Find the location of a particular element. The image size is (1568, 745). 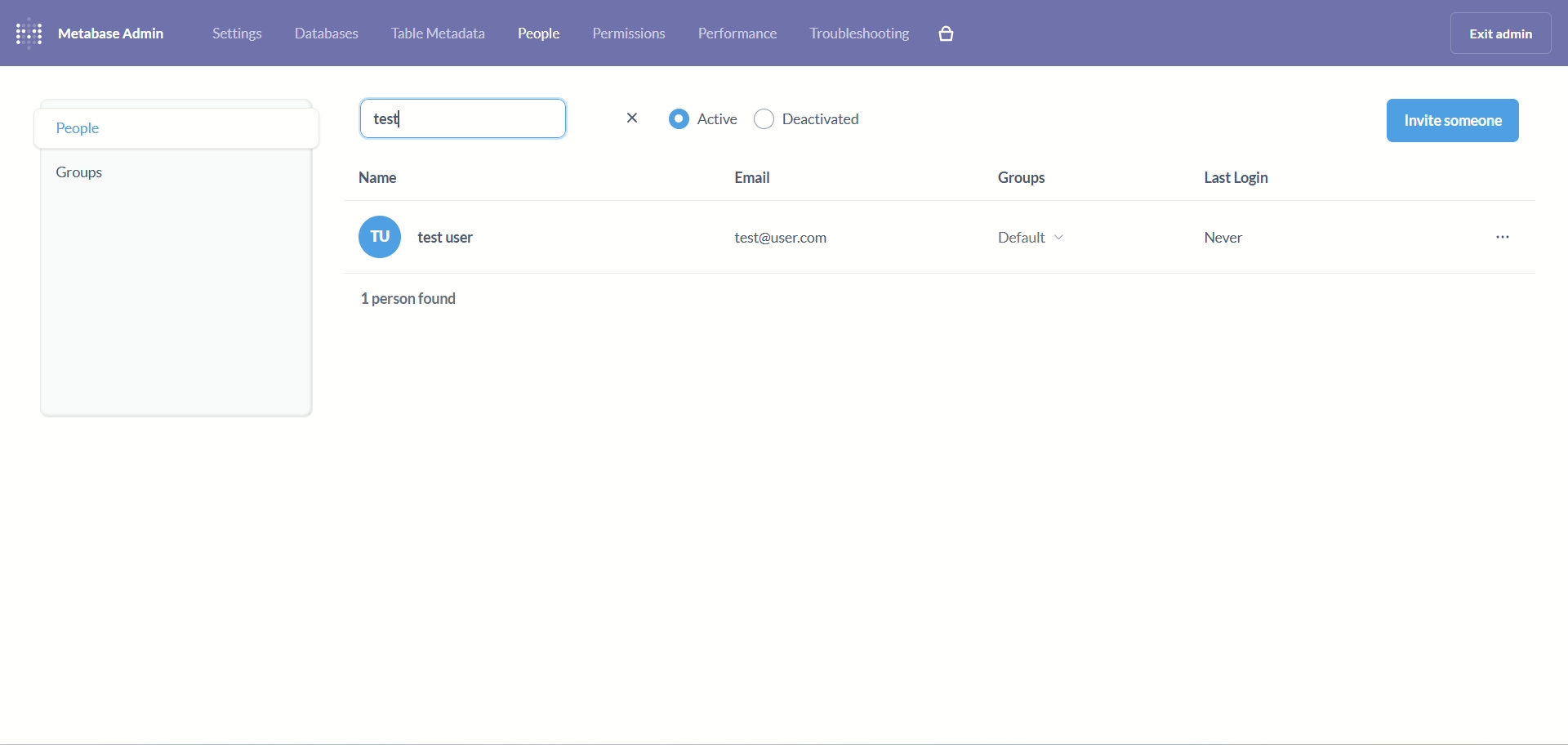

text is located at coordinates (418, 309).